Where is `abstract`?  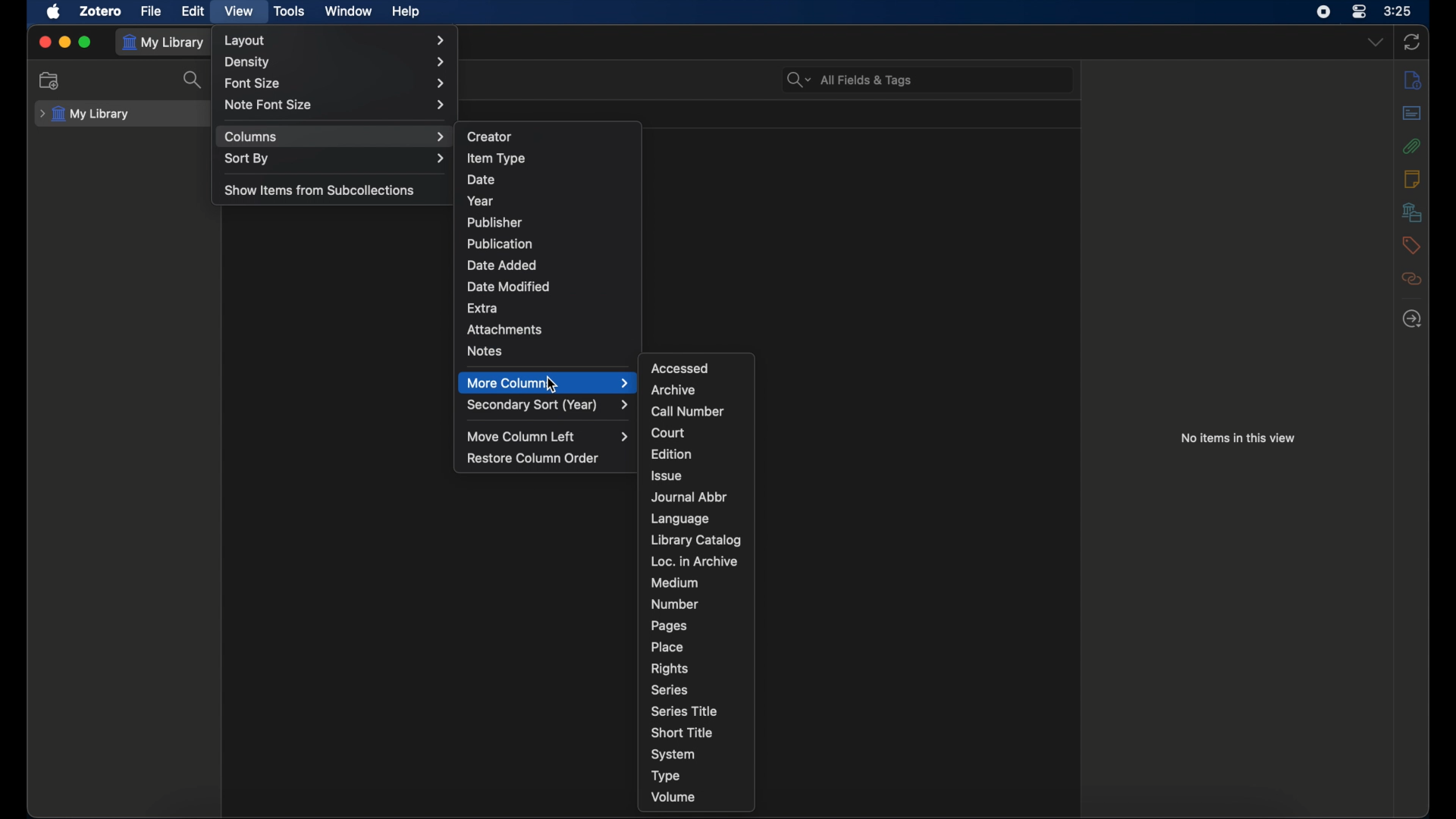 abstract is located at coordinates (1414, 113).